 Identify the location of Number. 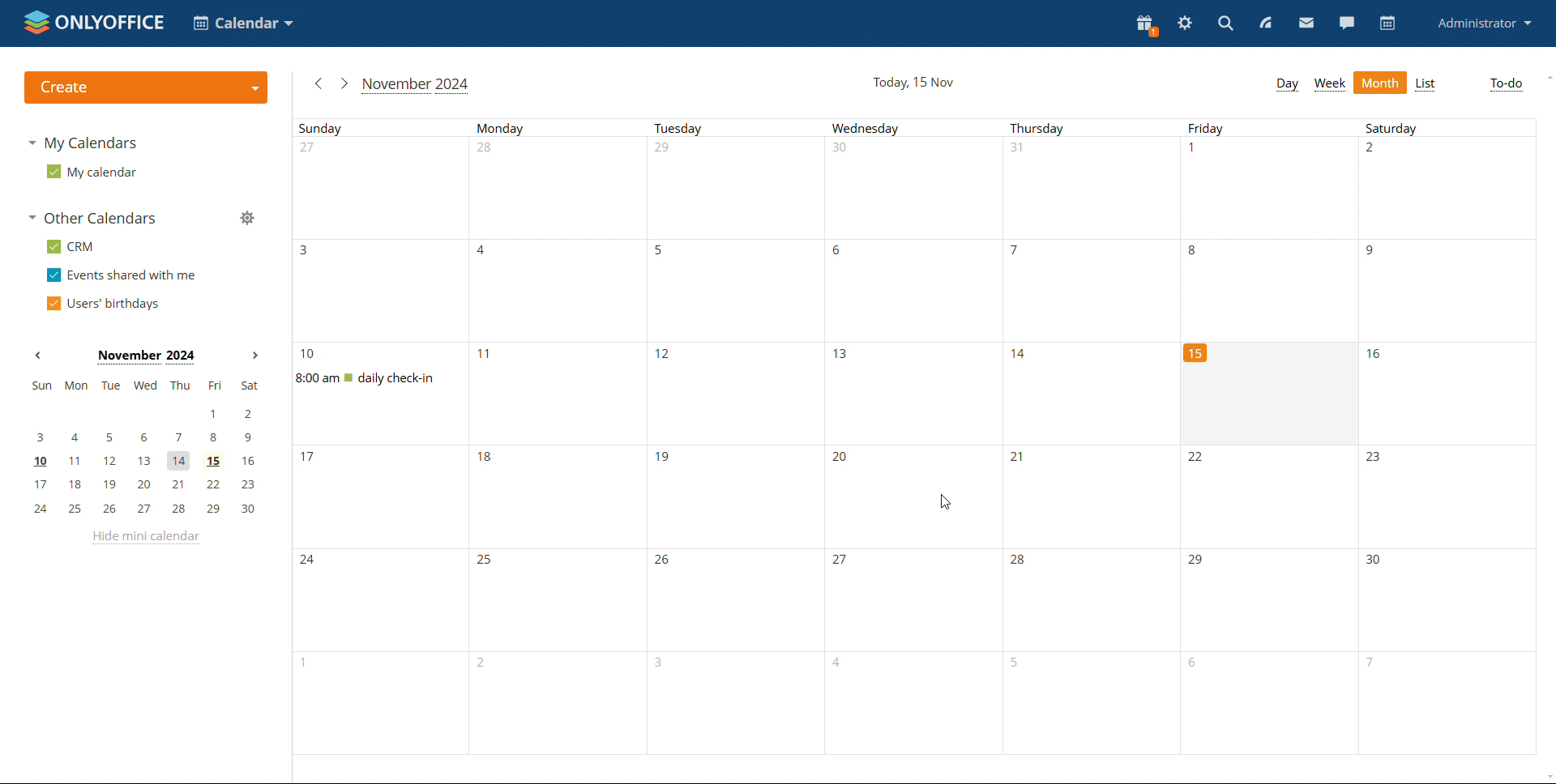
(310, 355).